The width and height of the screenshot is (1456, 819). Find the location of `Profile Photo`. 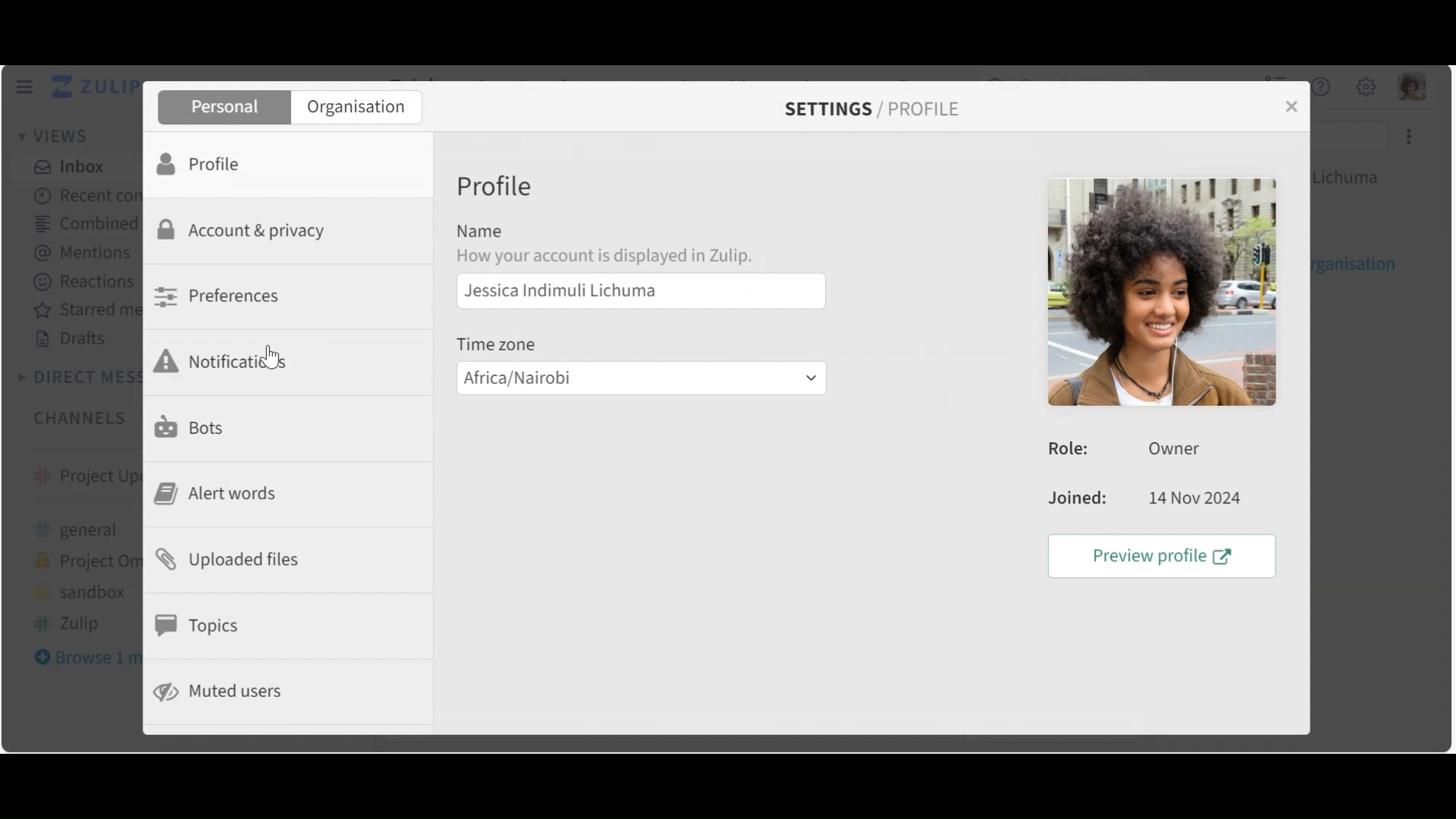

Profile Photo is located at coordinates (1159, 291).